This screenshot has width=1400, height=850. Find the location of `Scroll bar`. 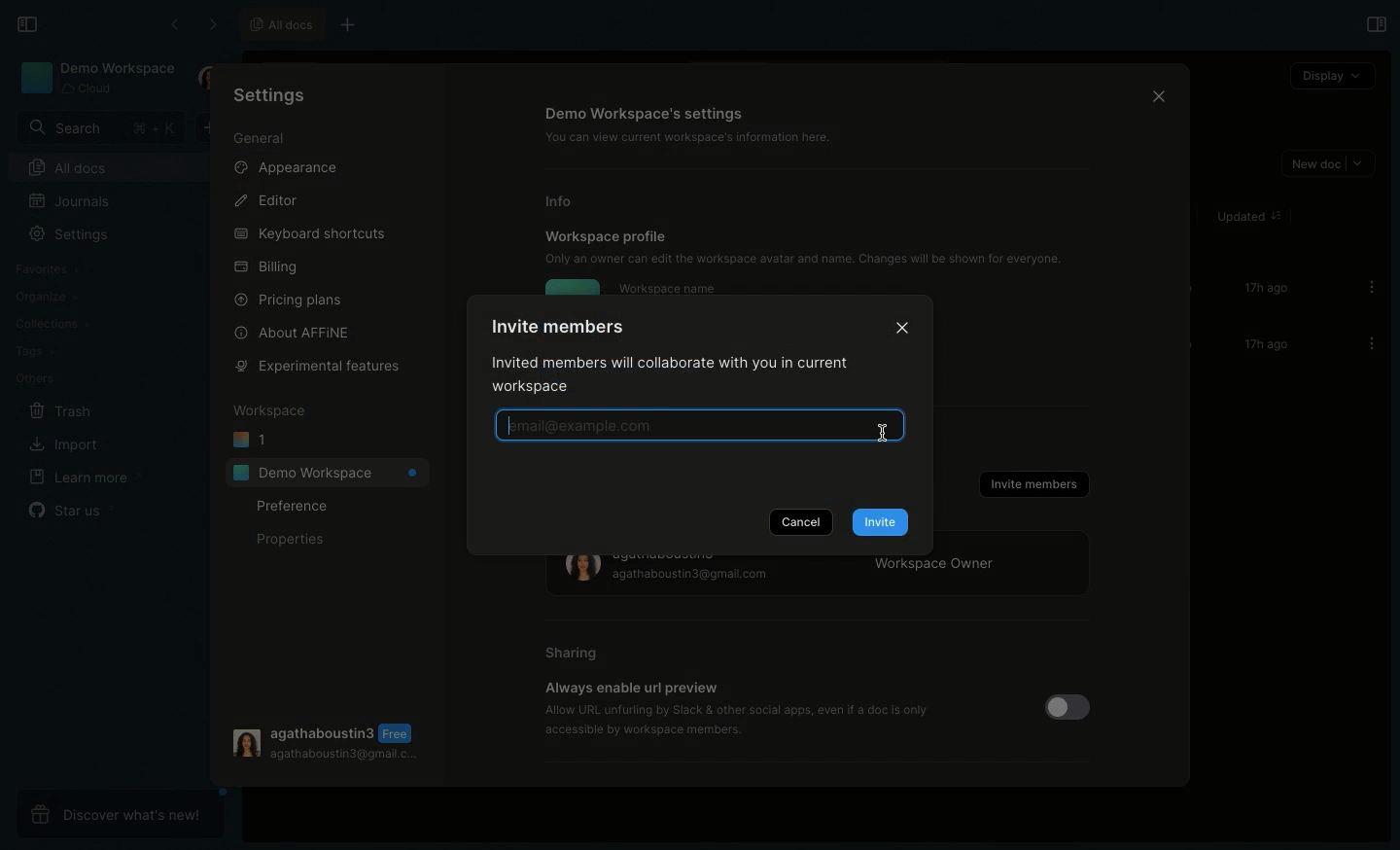

Scroll bar is located at coordinates (1188, 321).